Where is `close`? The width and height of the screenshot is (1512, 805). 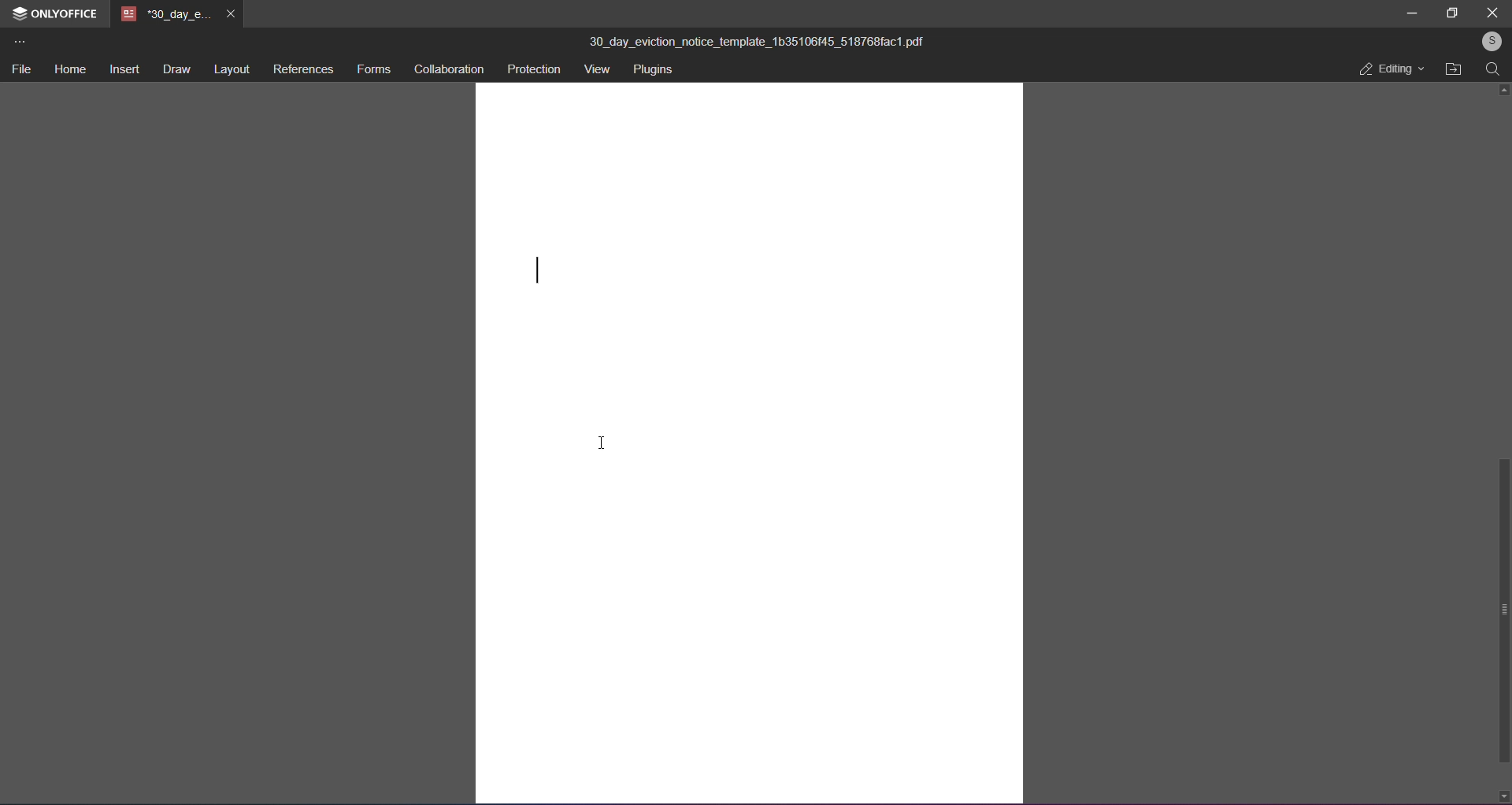
close is located at coordinates (1492, 13).